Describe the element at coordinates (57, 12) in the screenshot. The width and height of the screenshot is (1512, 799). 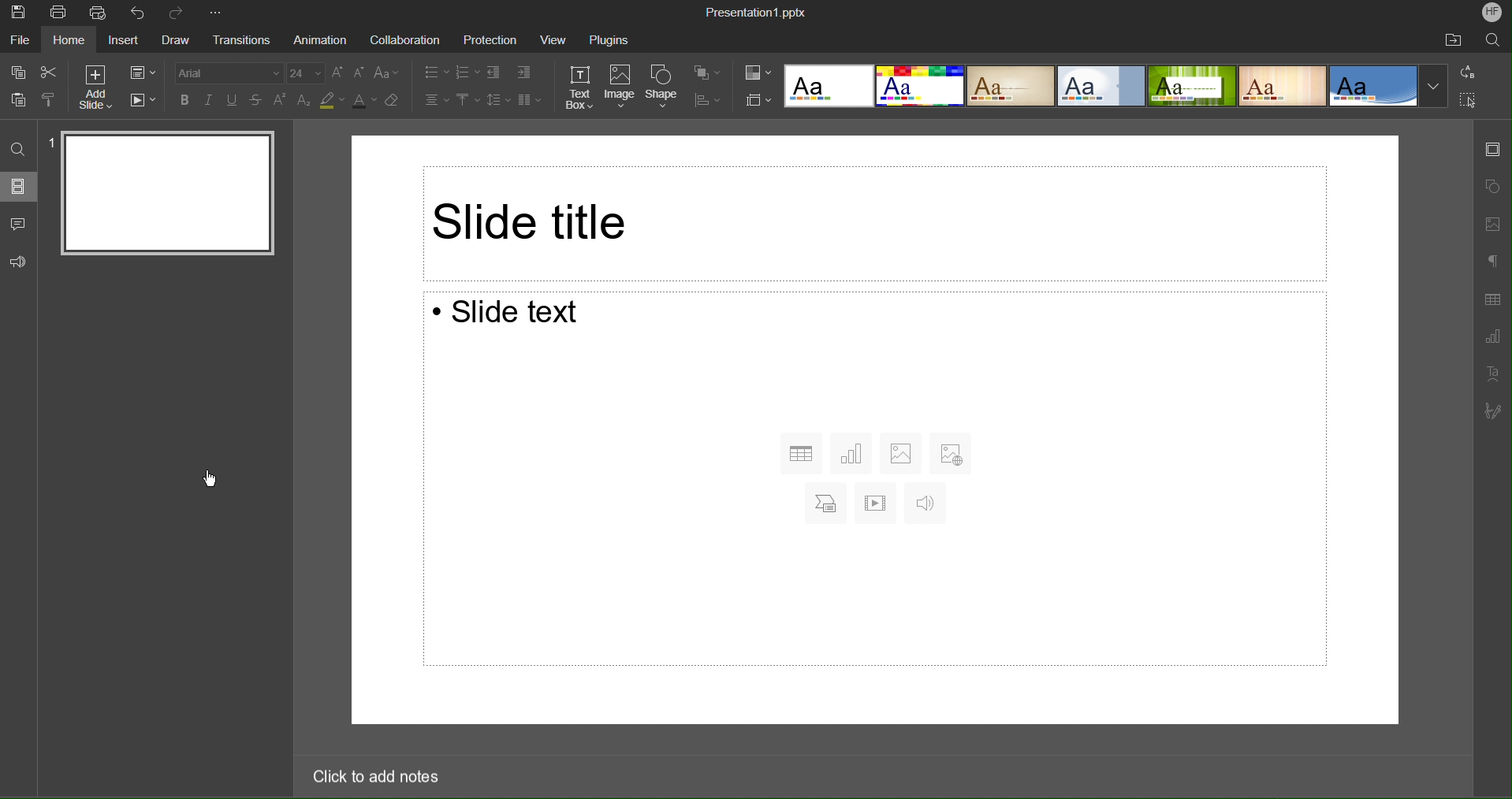
I see `Print` at that location.